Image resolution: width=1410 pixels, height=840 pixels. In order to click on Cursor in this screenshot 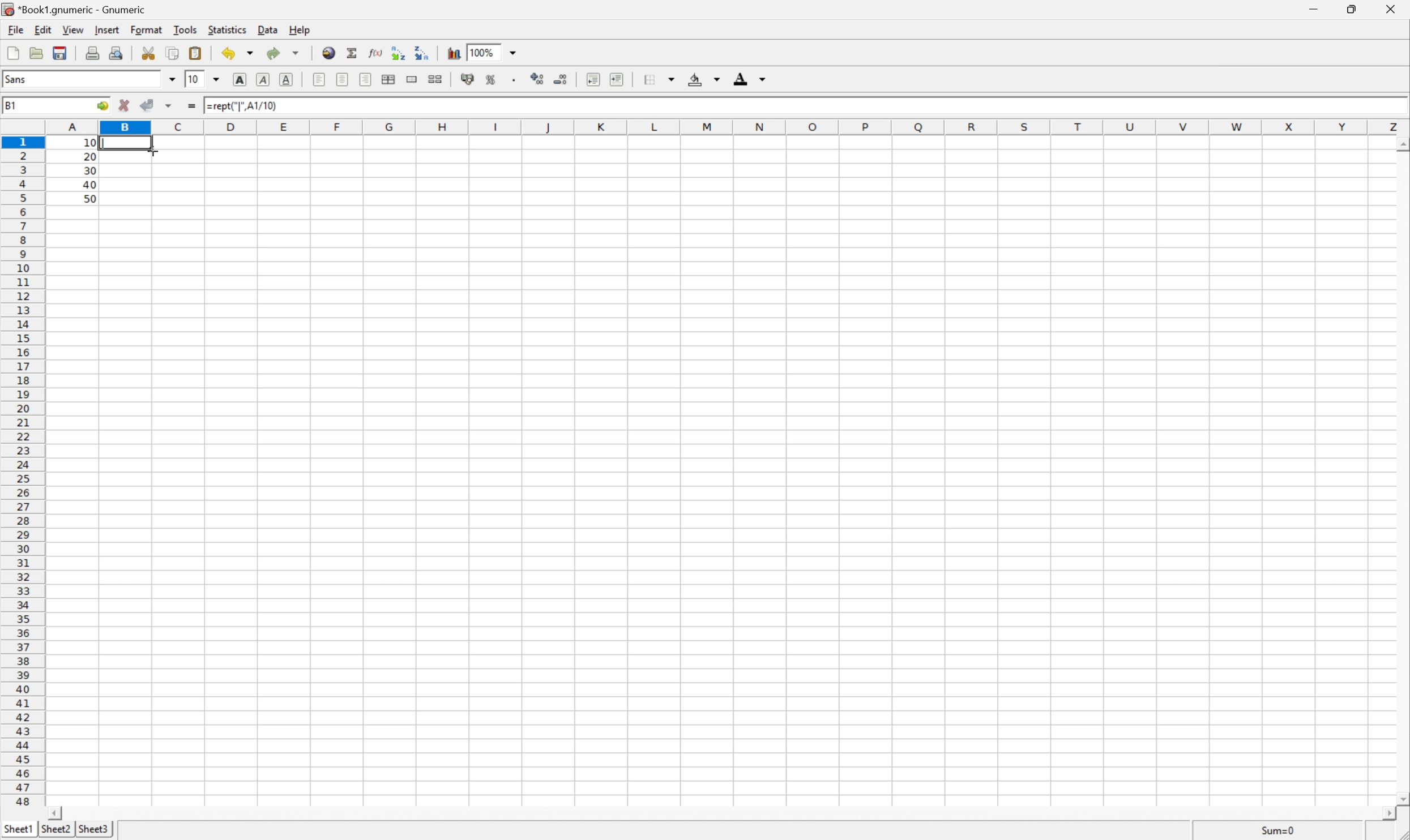, I will do `click(152, 149)`.